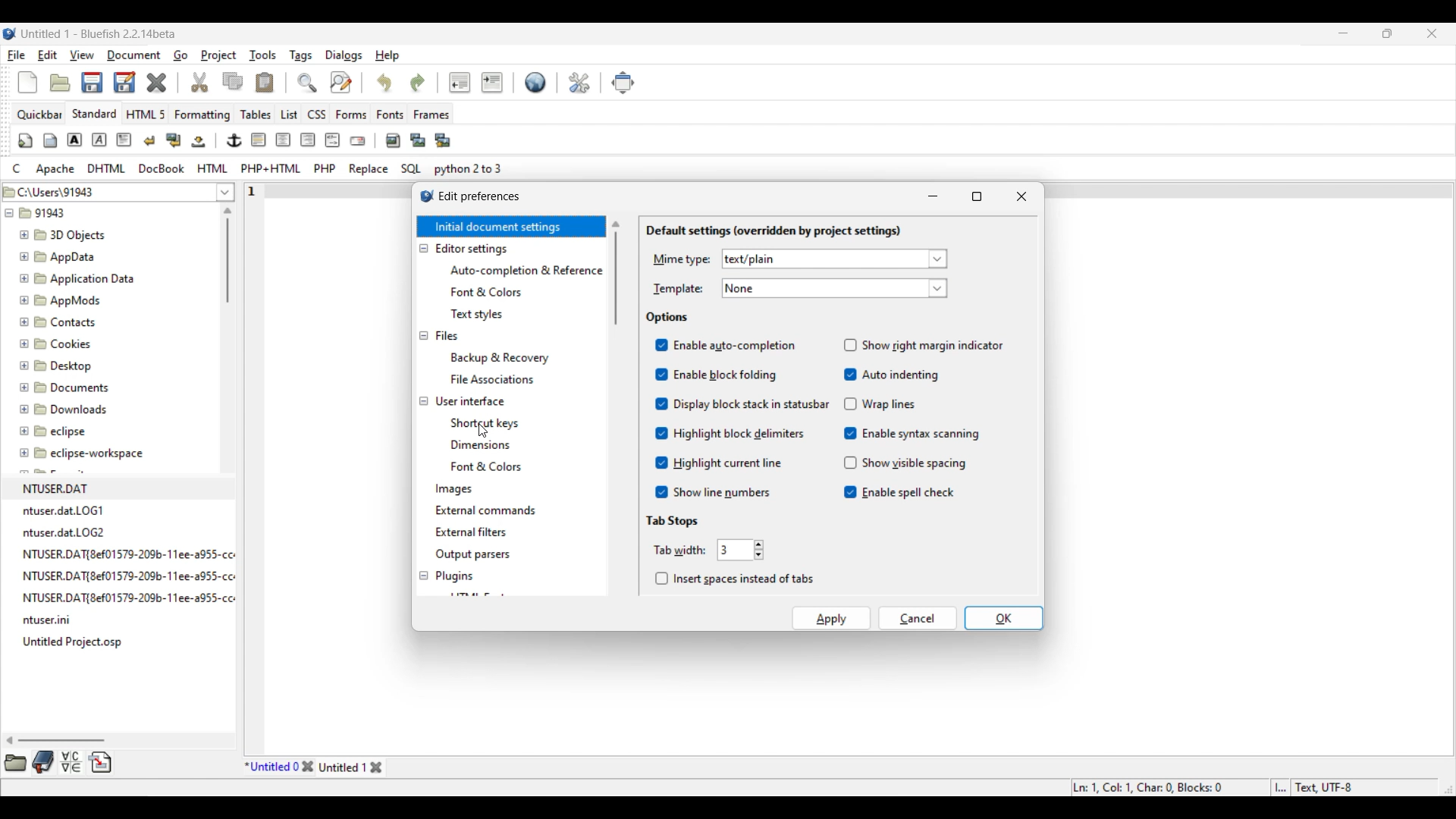 The height and width of the screenshot is (819, 1456). What do you see at coordinates (536, 82) in the screenshot?
I see `Default settings` at bounding box center [536, 82].